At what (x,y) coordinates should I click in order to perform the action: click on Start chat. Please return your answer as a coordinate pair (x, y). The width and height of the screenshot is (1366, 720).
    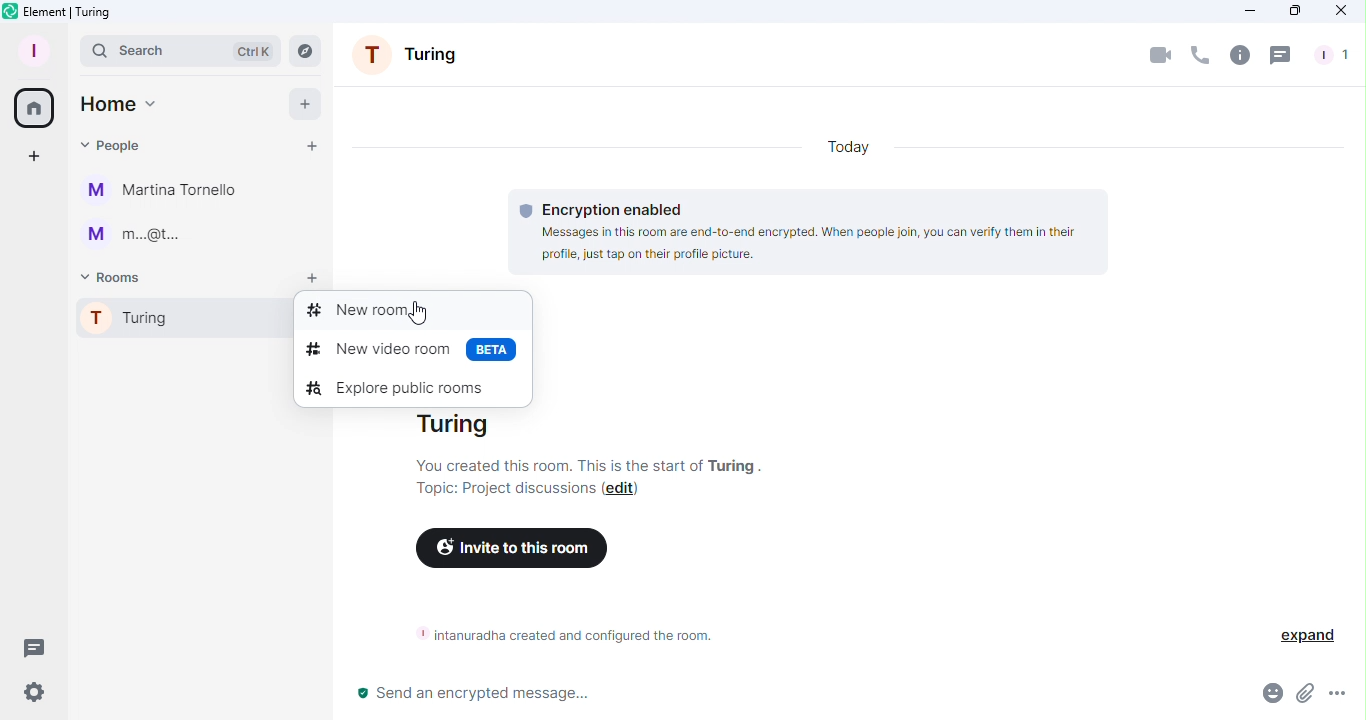
    Looking at the image, I should click on (310, 149).